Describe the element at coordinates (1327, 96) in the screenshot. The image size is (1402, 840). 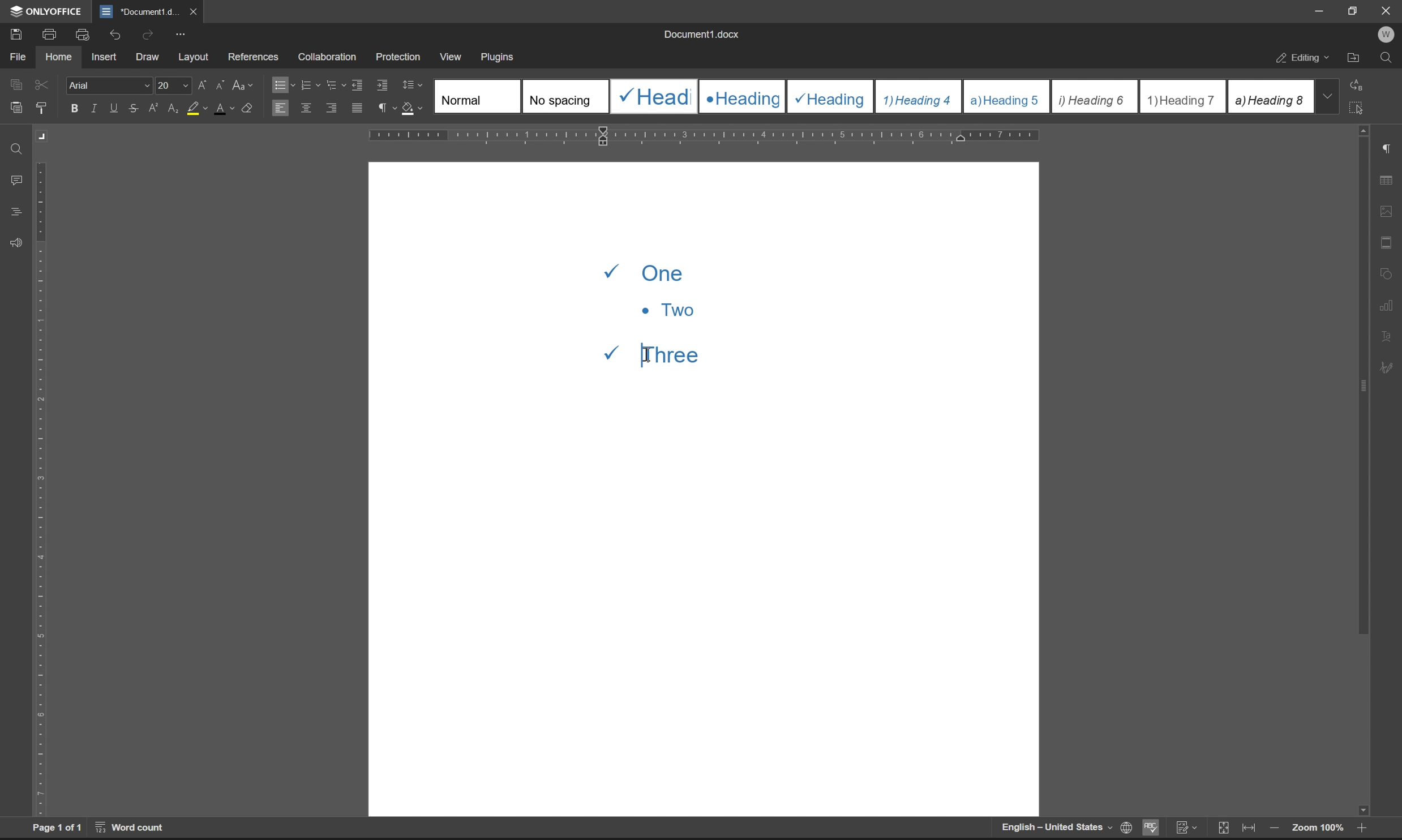
I see `drop down` at that location.